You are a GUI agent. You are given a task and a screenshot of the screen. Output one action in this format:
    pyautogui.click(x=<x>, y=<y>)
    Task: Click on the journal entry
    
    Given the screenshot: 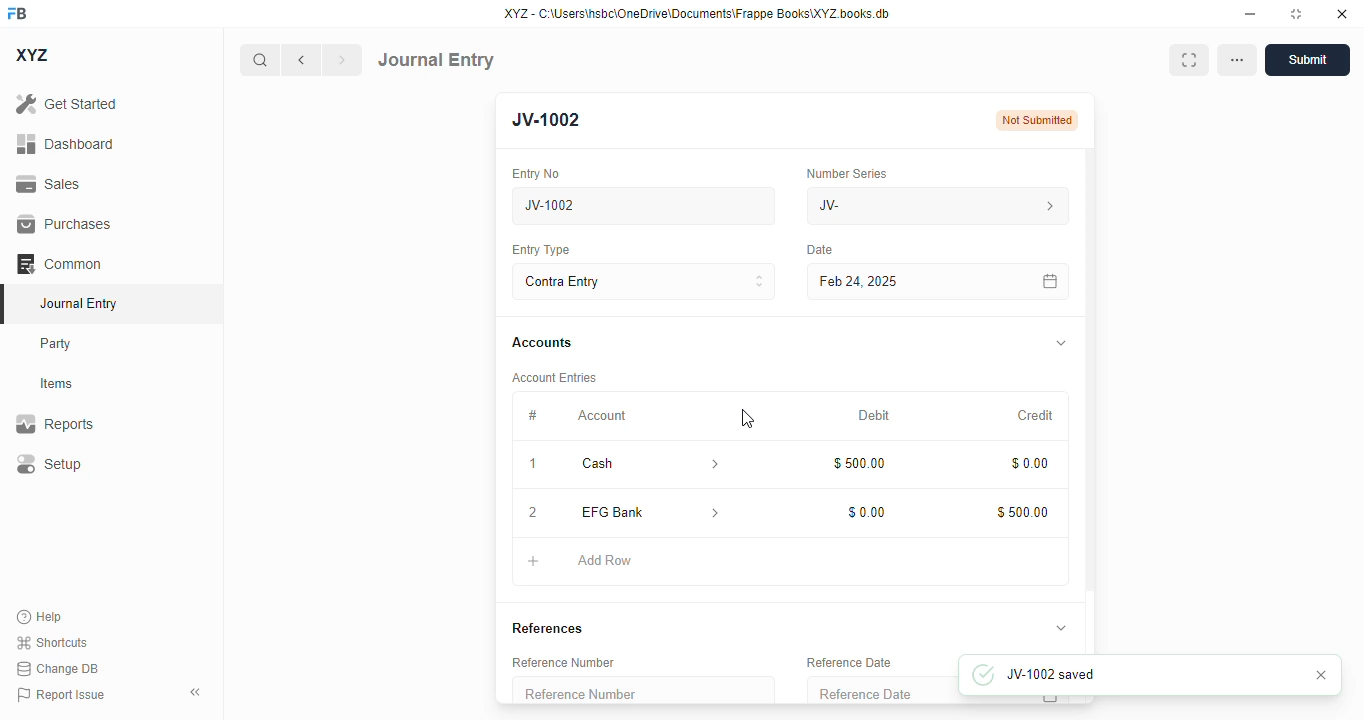 What is the action you would take?
    pyautogui.click(x=436, y=60)
    